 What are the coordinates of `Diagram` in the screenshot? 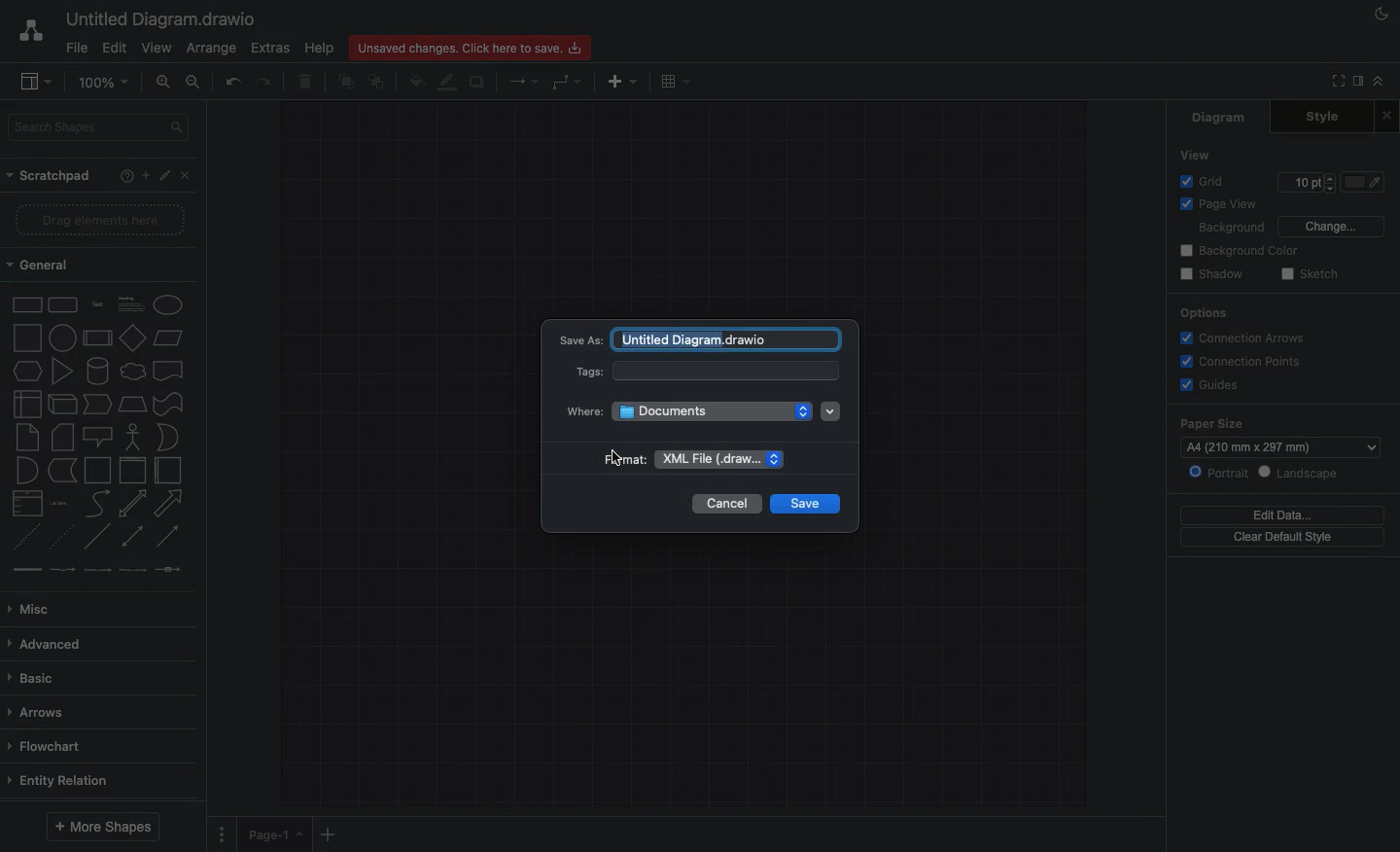 It's located at (1221, 117).